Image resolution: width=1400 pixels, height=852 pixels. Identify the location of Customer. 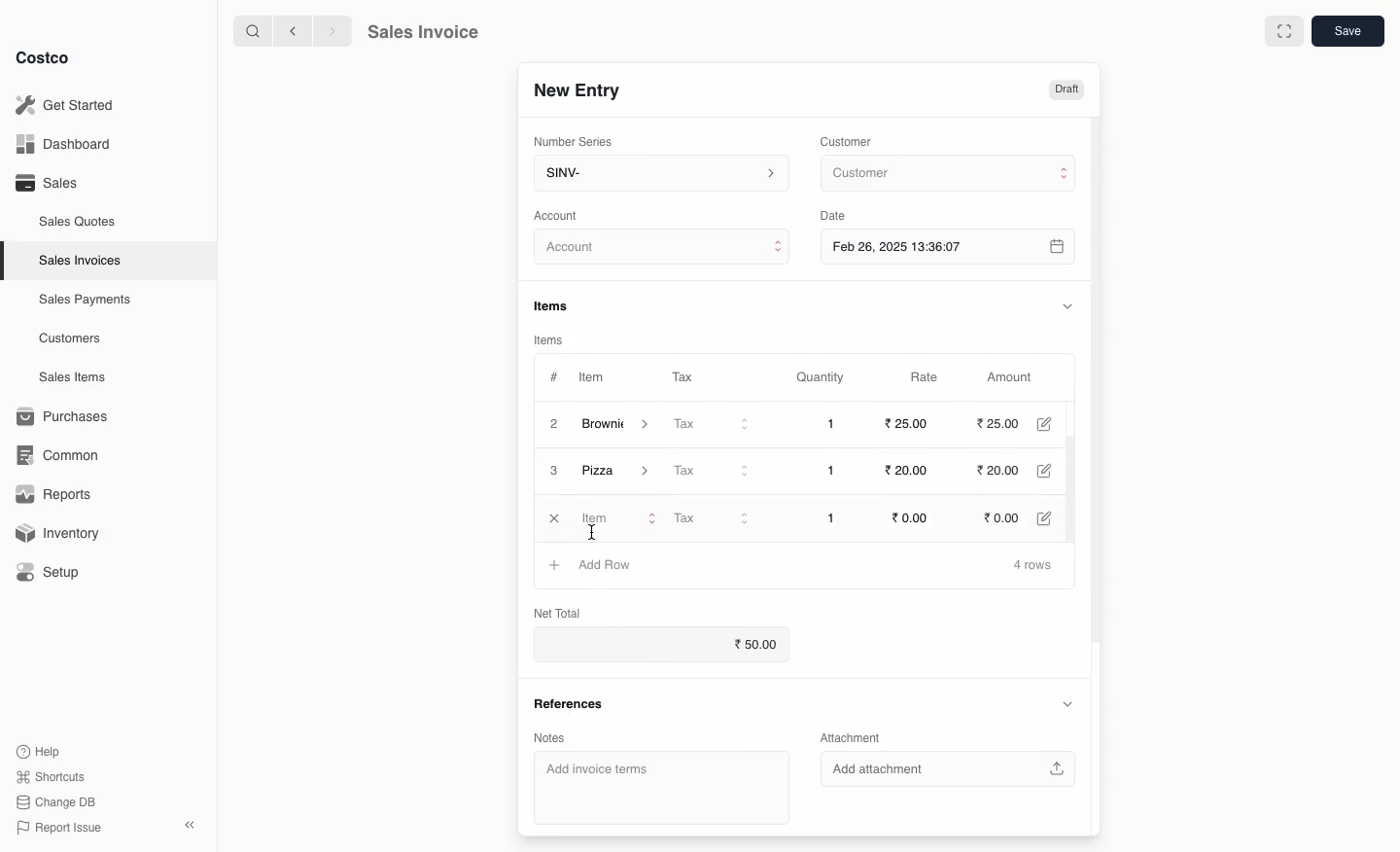
(849, 140).